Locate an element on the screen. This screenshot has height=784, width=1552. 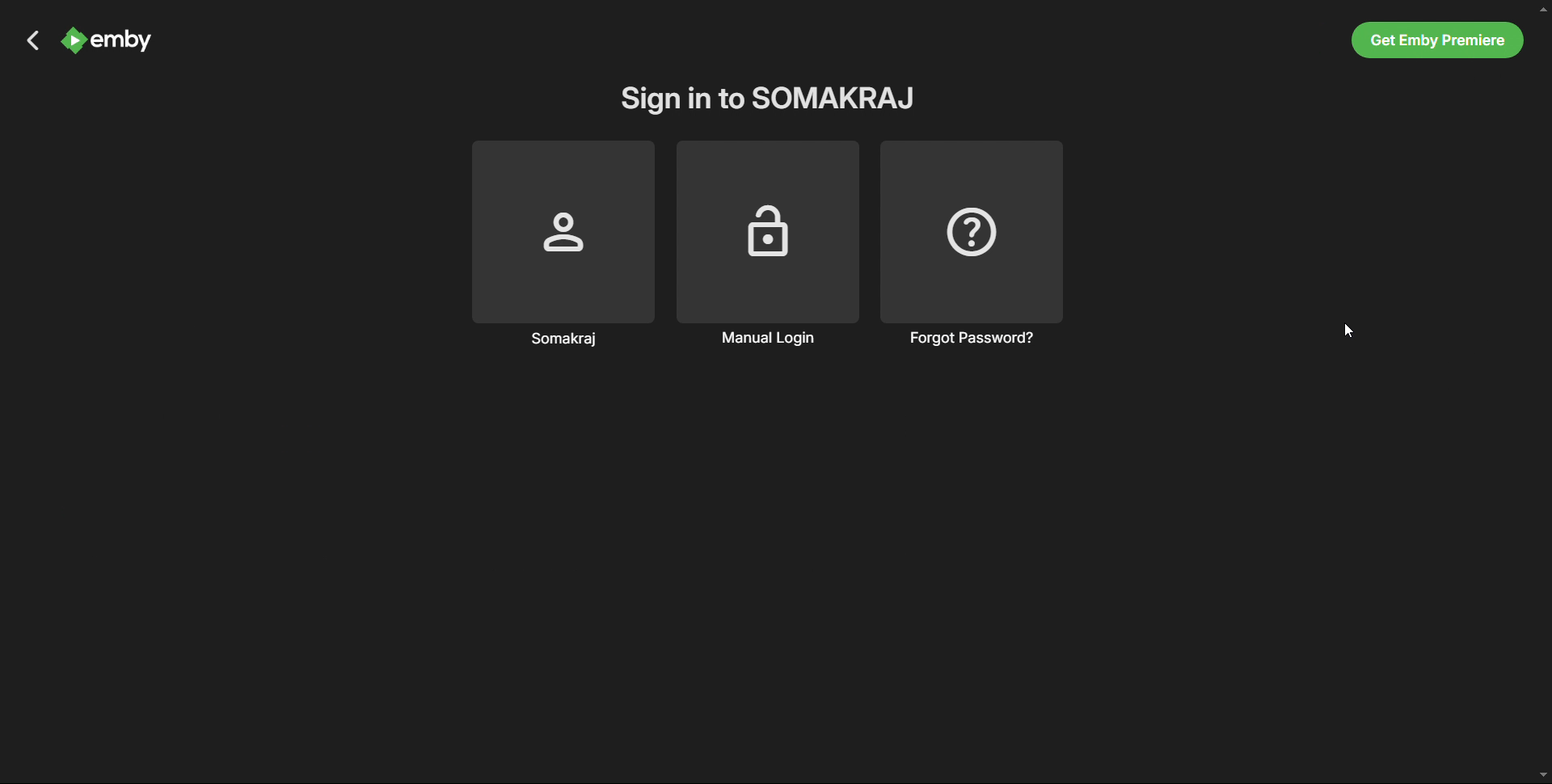
manual login is located at coordinates (768, 245).